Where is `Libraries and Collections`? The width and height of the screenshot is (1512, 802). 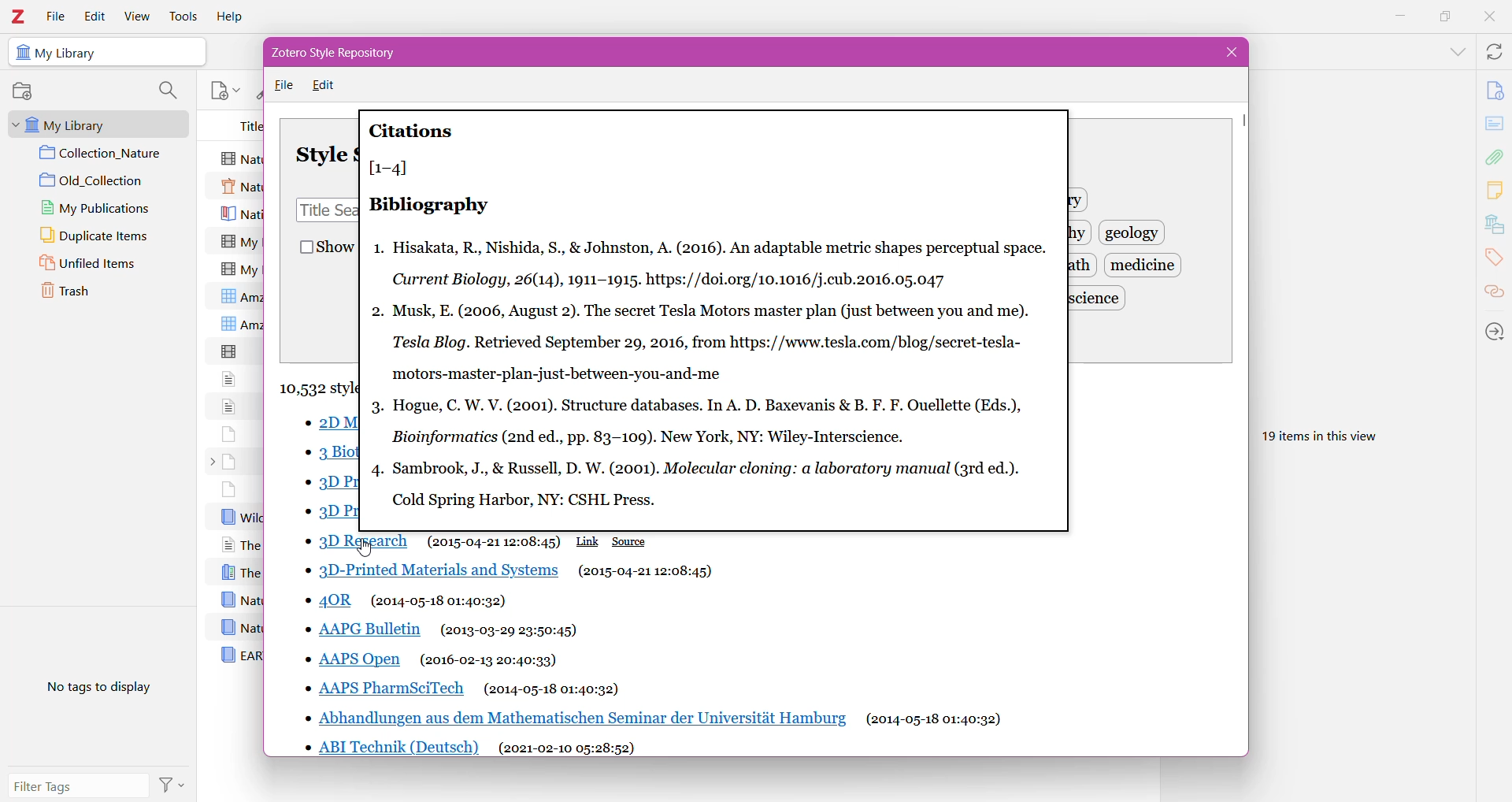
Libraries and Collections is located at coordinates (1494, 225).